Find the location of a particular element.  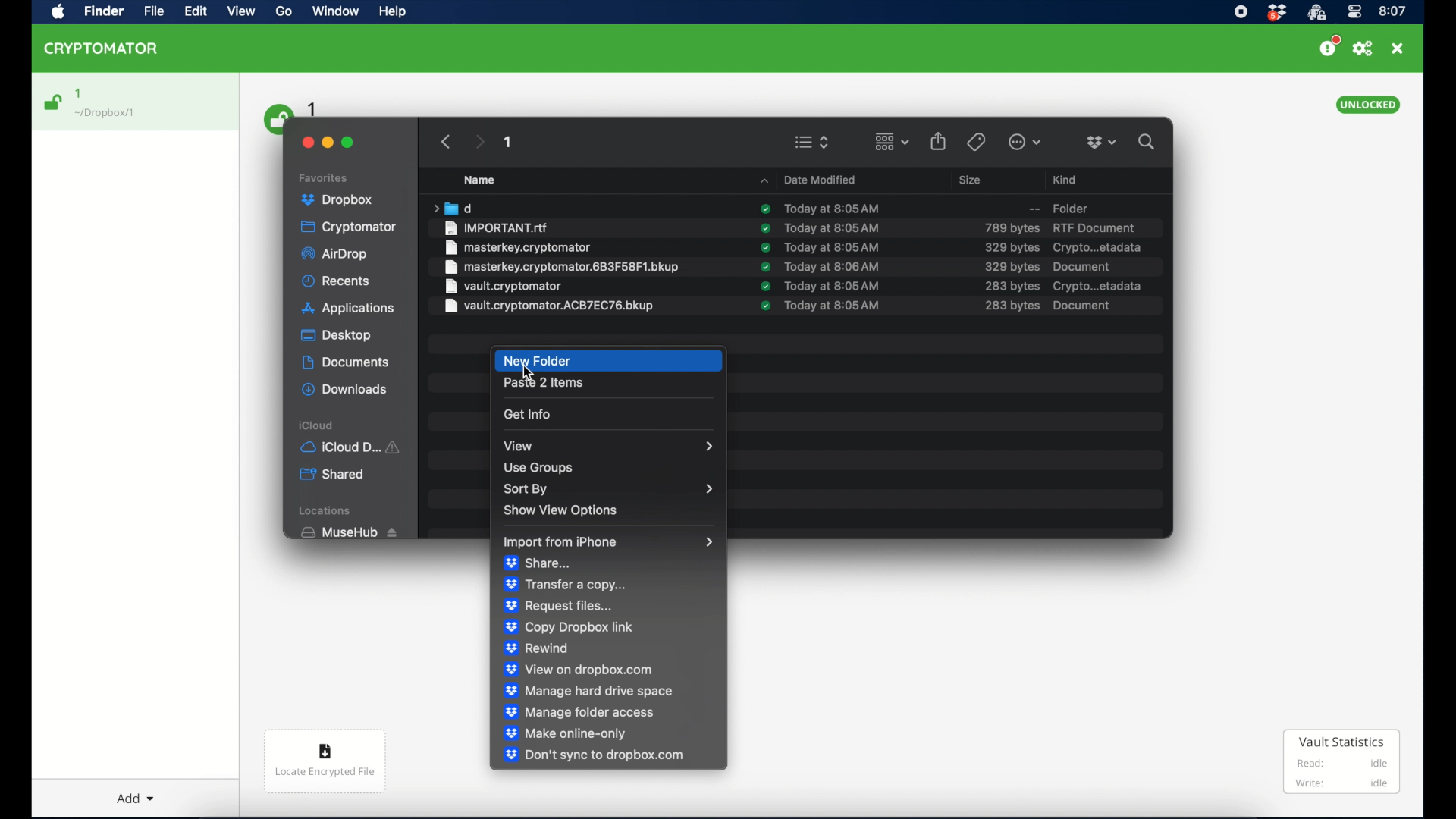

size is located at coordinates (972, 180).